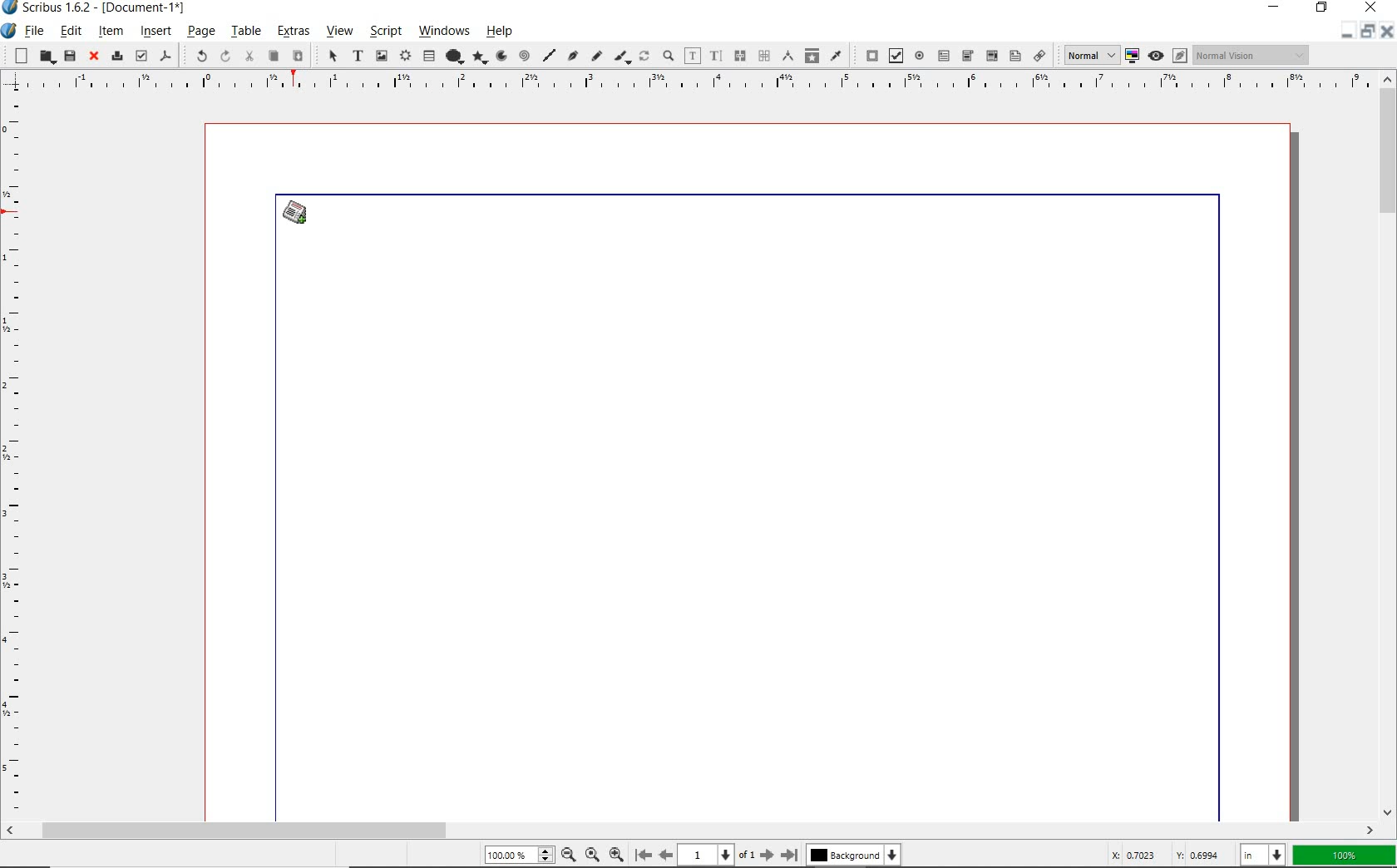  I want to click on Vertical Margin, so click(14, 458).